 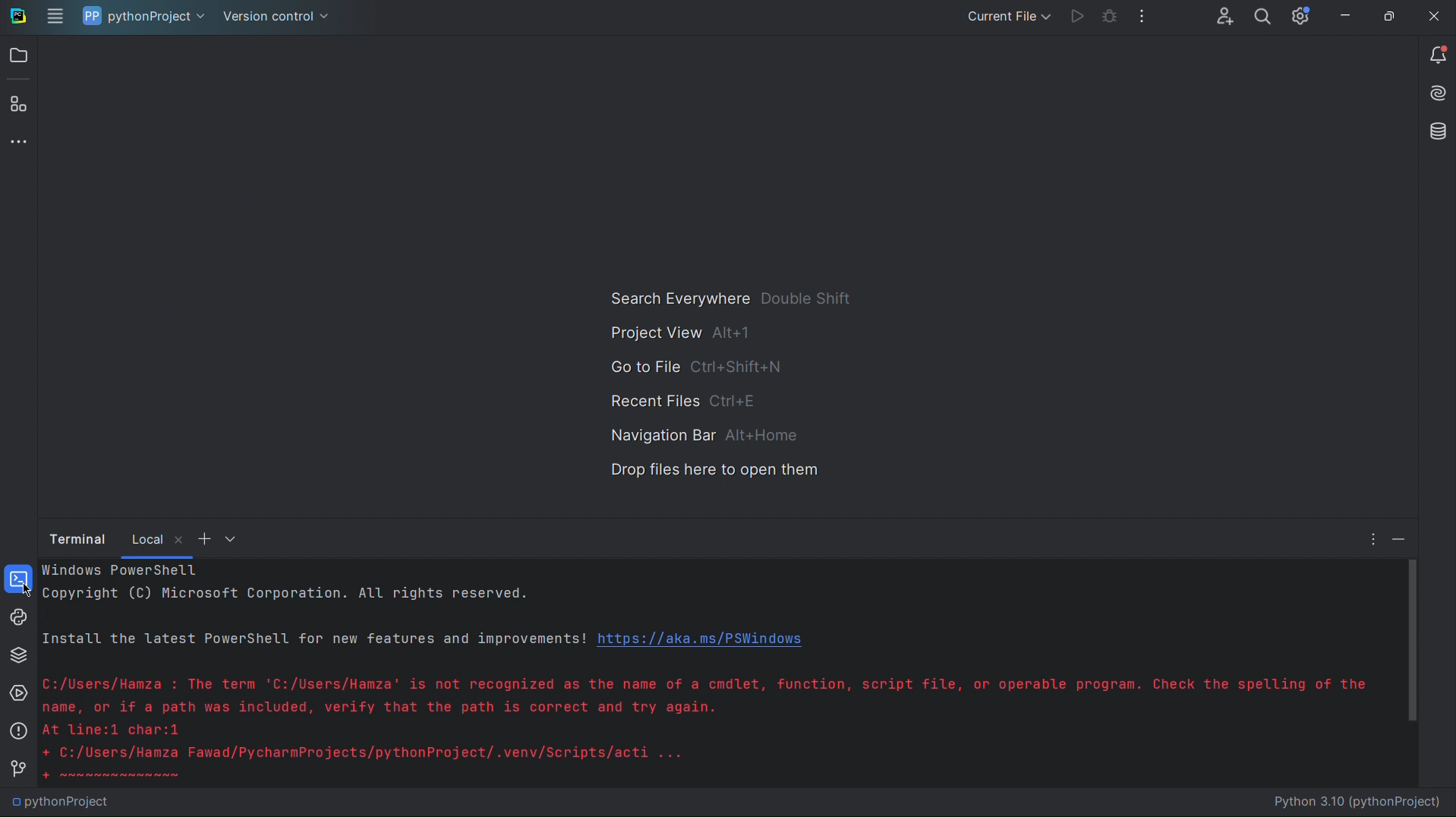 What do you see at coordinates (1404, 537) in the screenshot?
I see `Minimize` at bounding box center [1404, 537].